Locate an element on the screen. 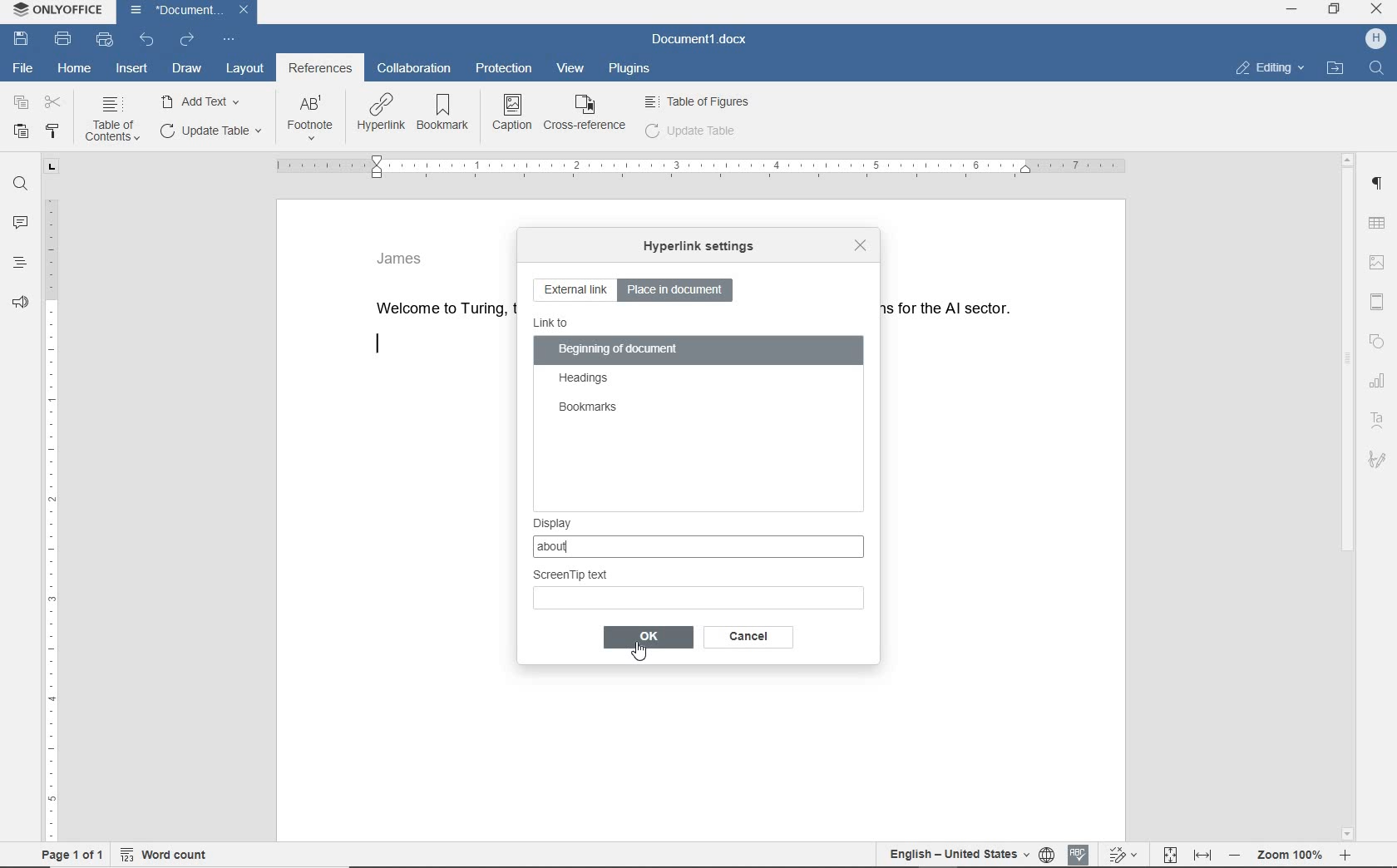  update table is located at coordinates (691, 131).